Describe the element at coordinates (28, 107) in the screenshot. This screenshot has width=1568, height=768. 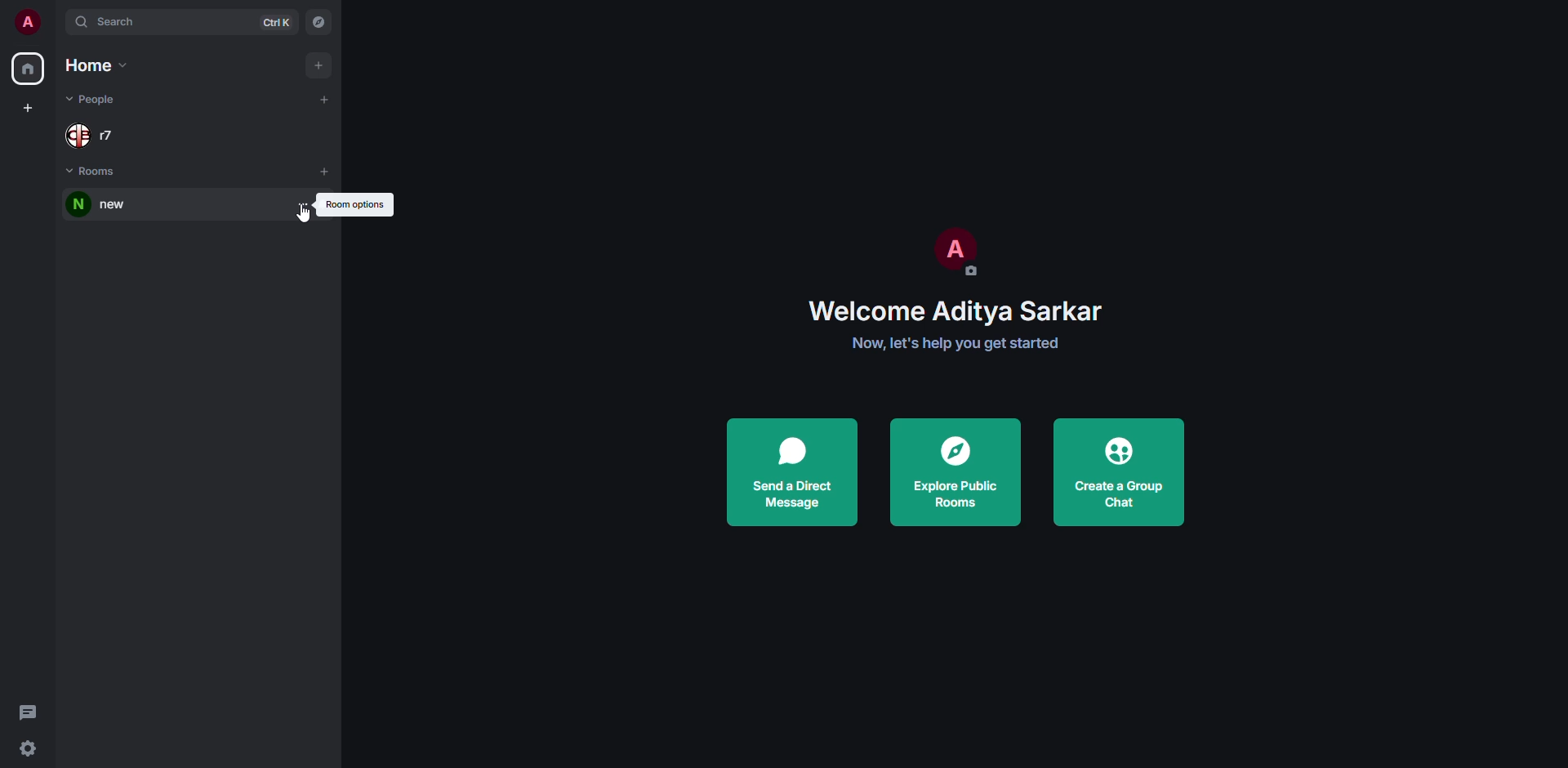
I see `create space` at that location.